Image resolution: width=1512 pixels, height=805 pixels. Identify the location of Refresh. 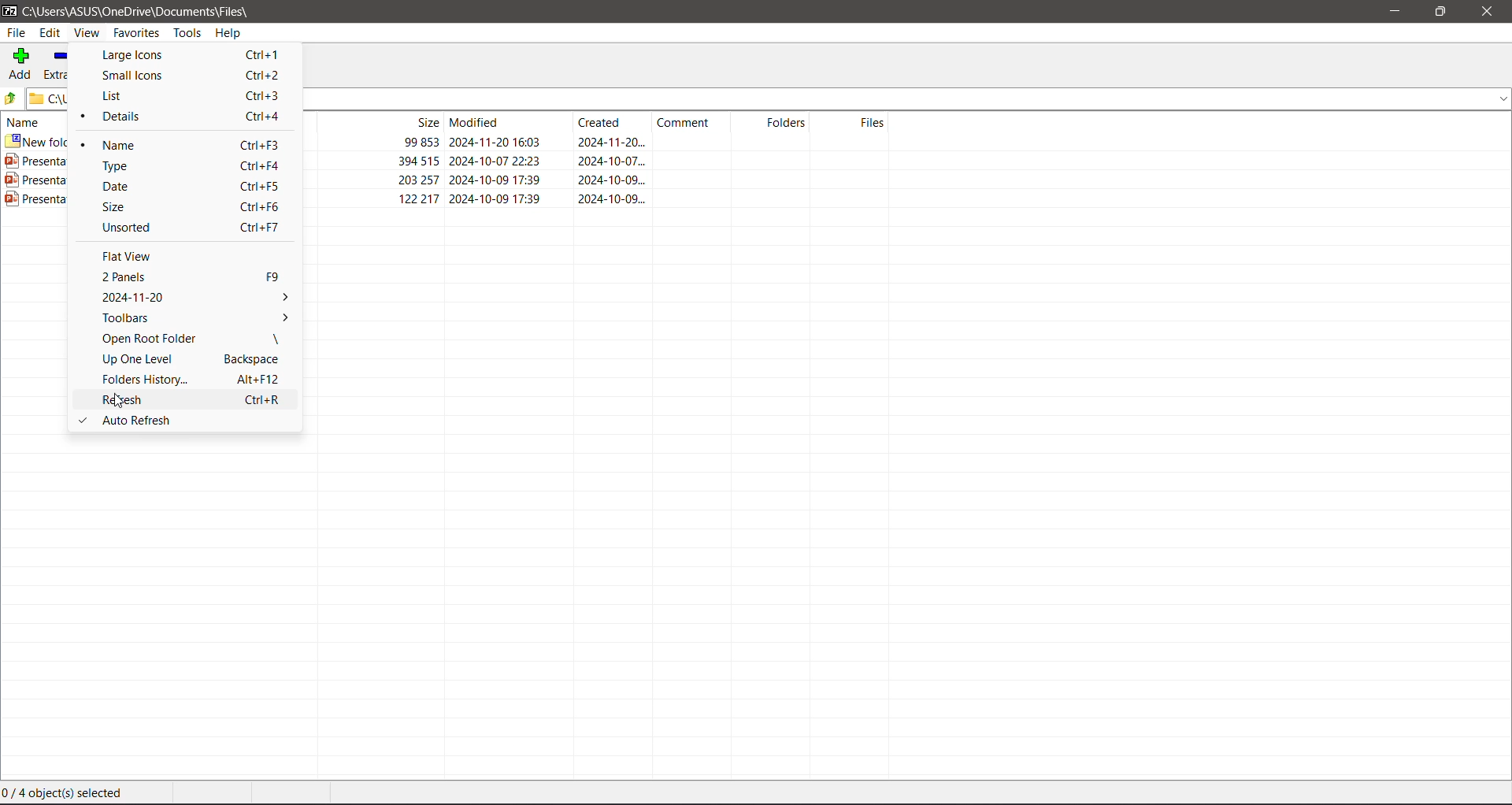
(135, 400).